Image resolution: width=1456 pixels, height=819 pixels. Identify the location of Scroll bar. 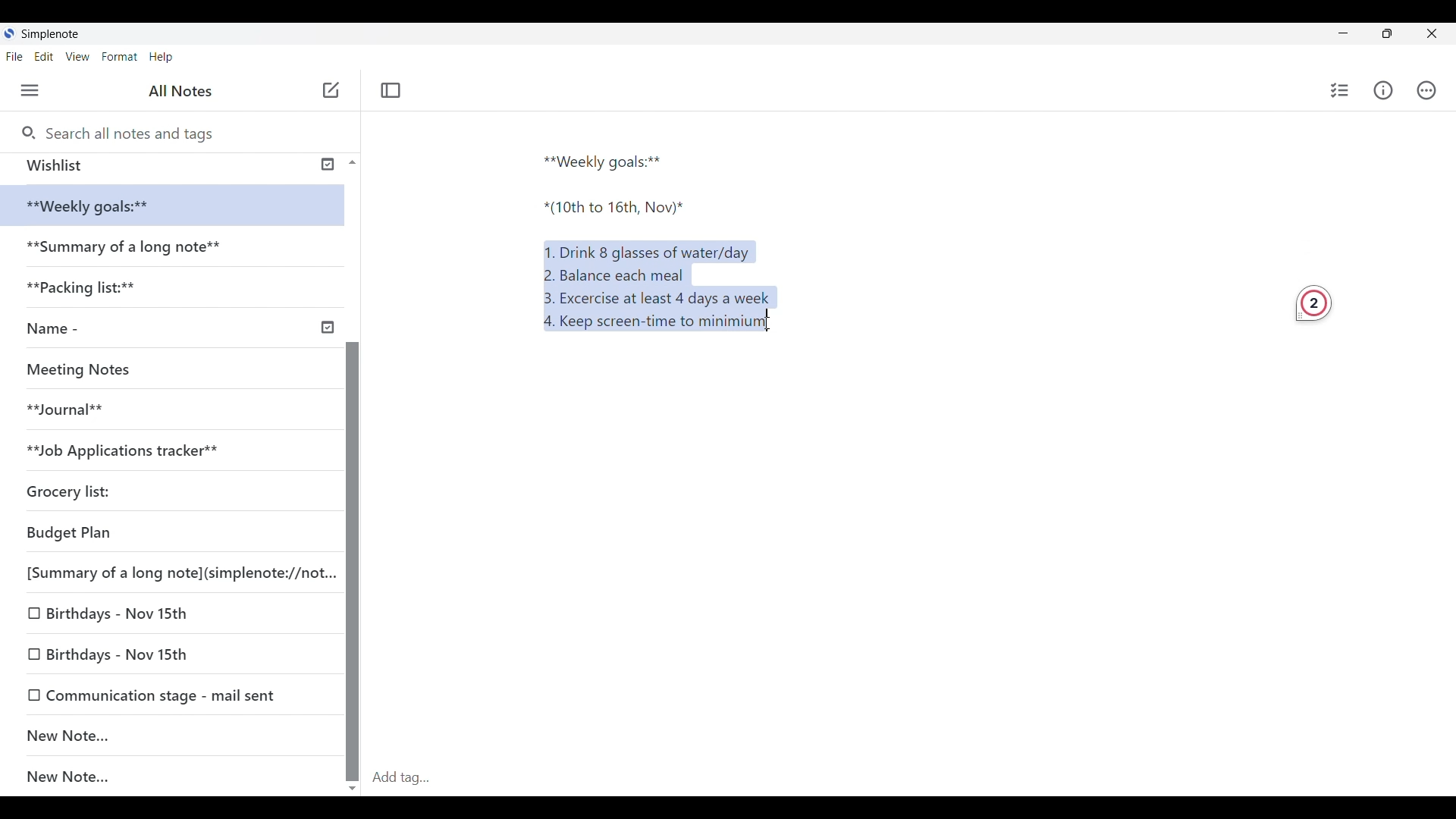
(352, 523).